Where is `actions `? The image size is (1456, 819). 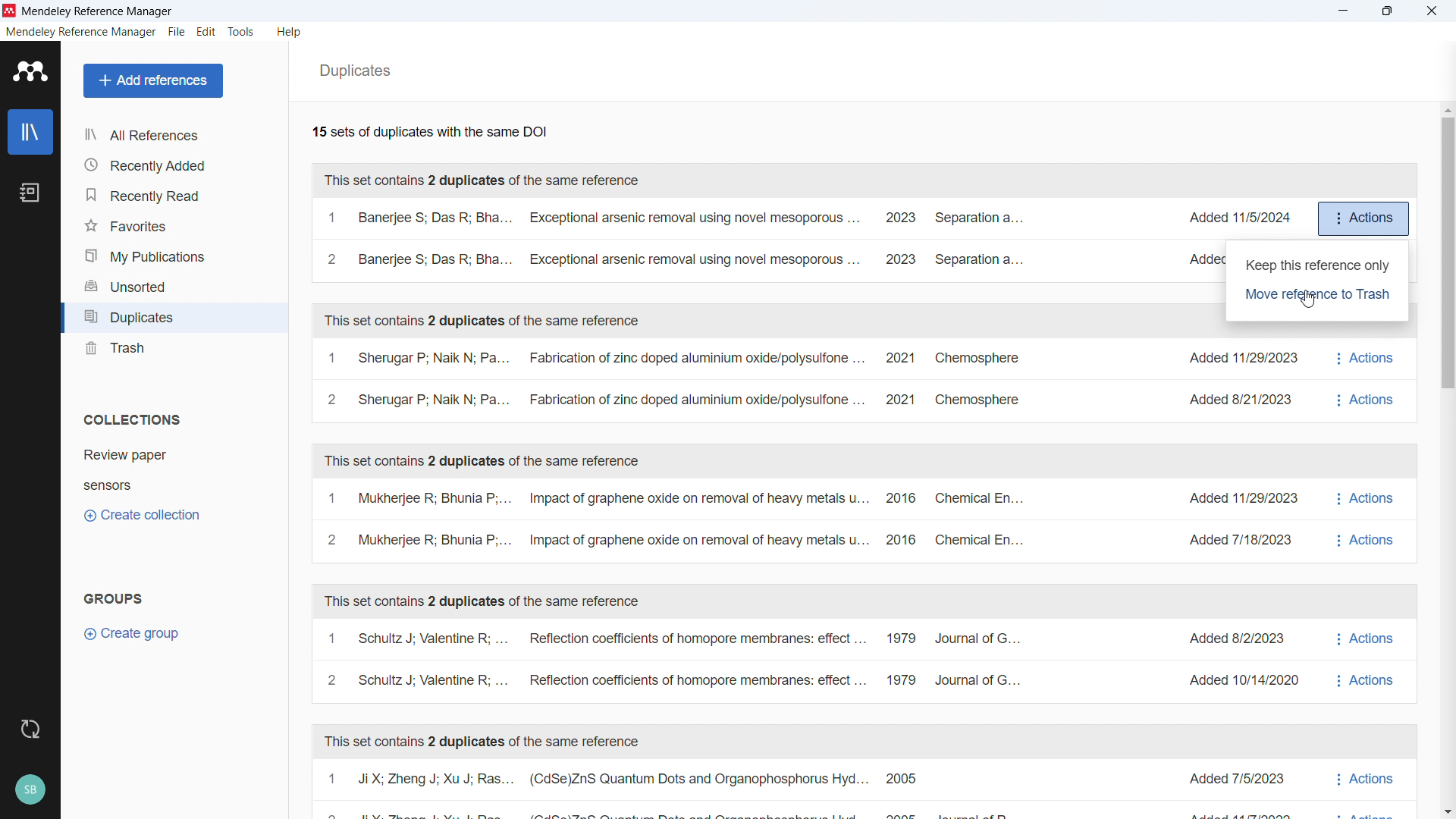
actions  is located at coordinates (1363, 218).